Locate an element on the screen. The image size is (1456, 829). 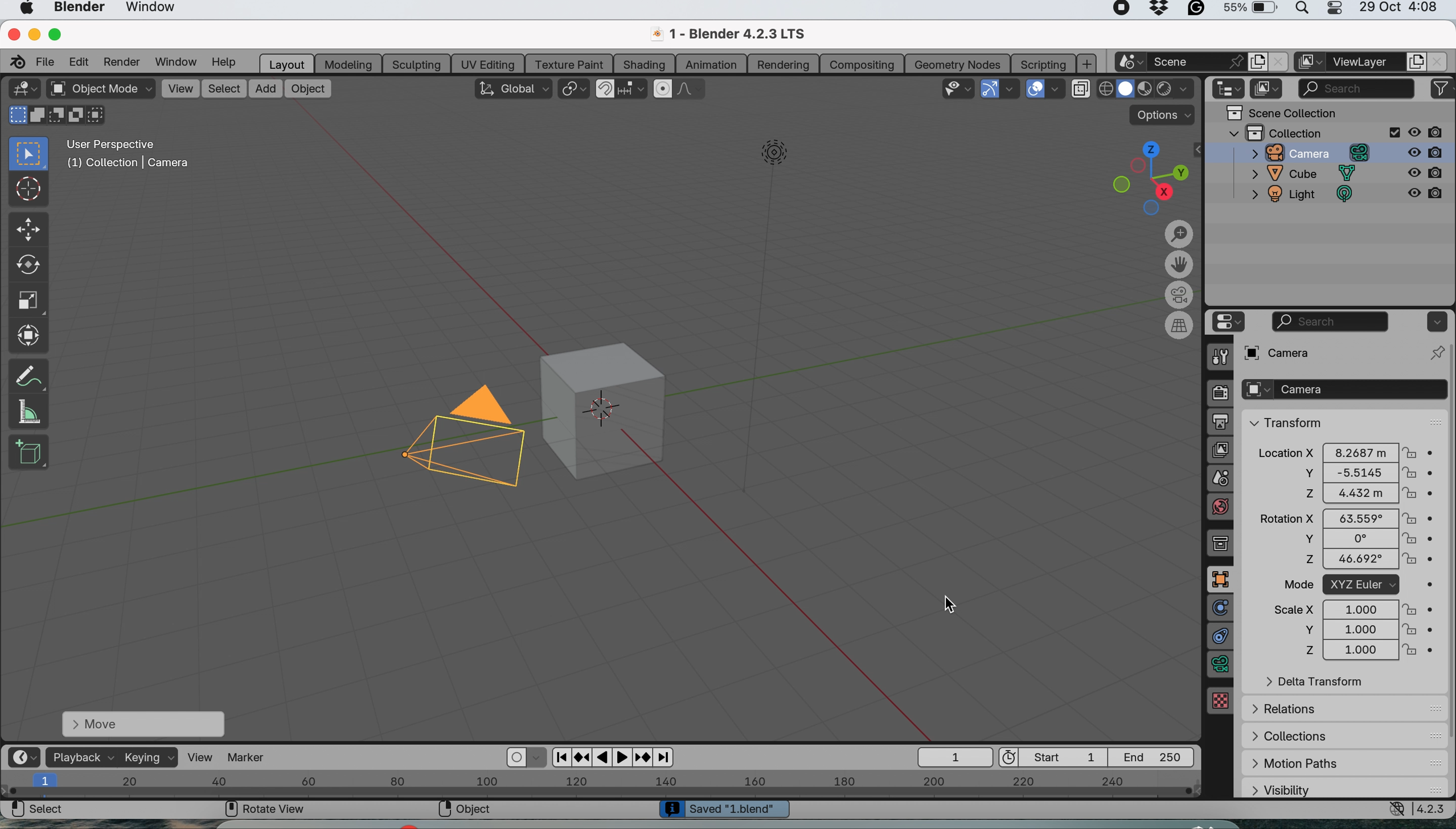
filters is located at coordinates (1442, 89).